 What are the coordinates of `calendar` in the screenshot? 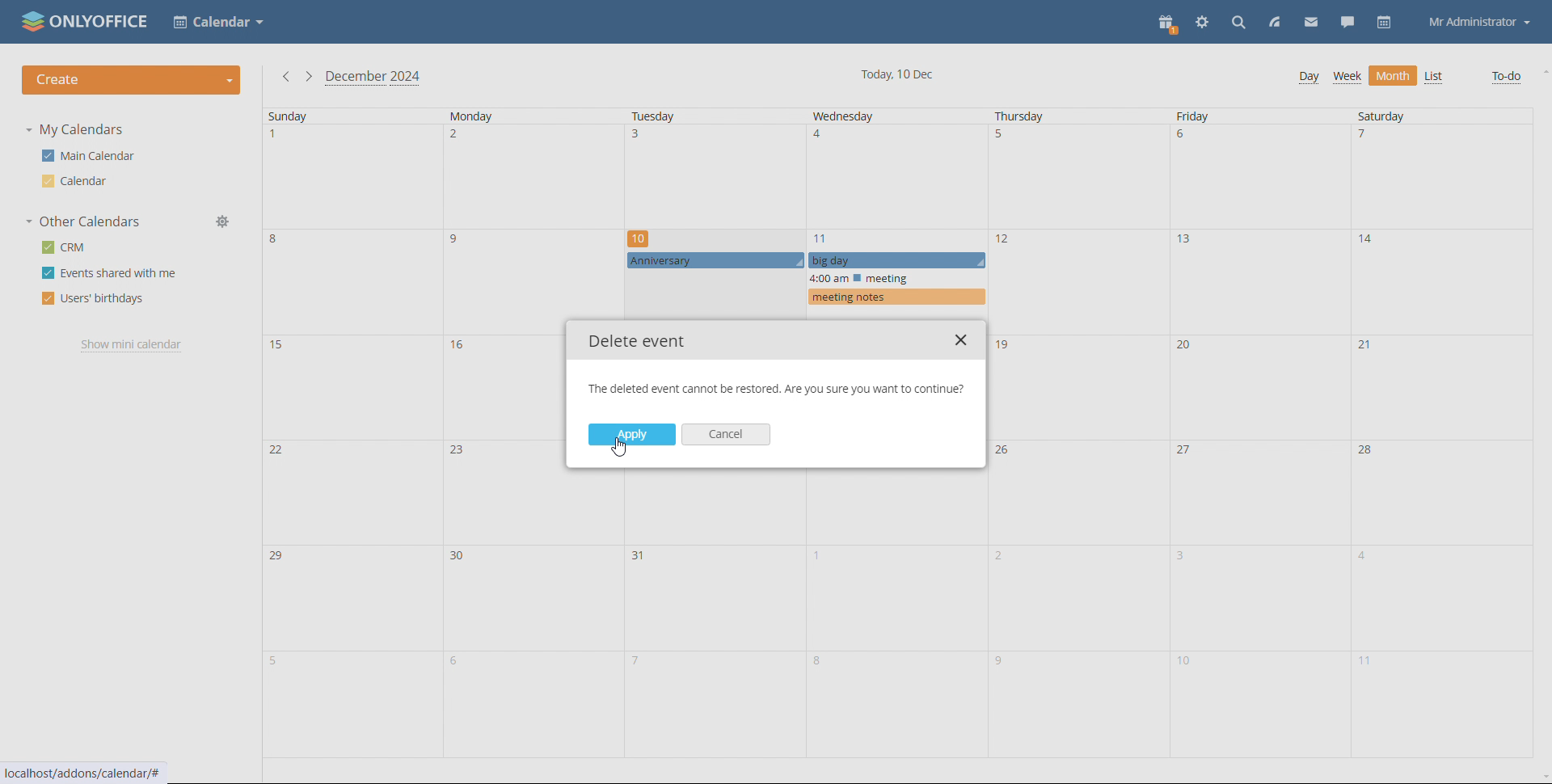 It's located at (76, 181).